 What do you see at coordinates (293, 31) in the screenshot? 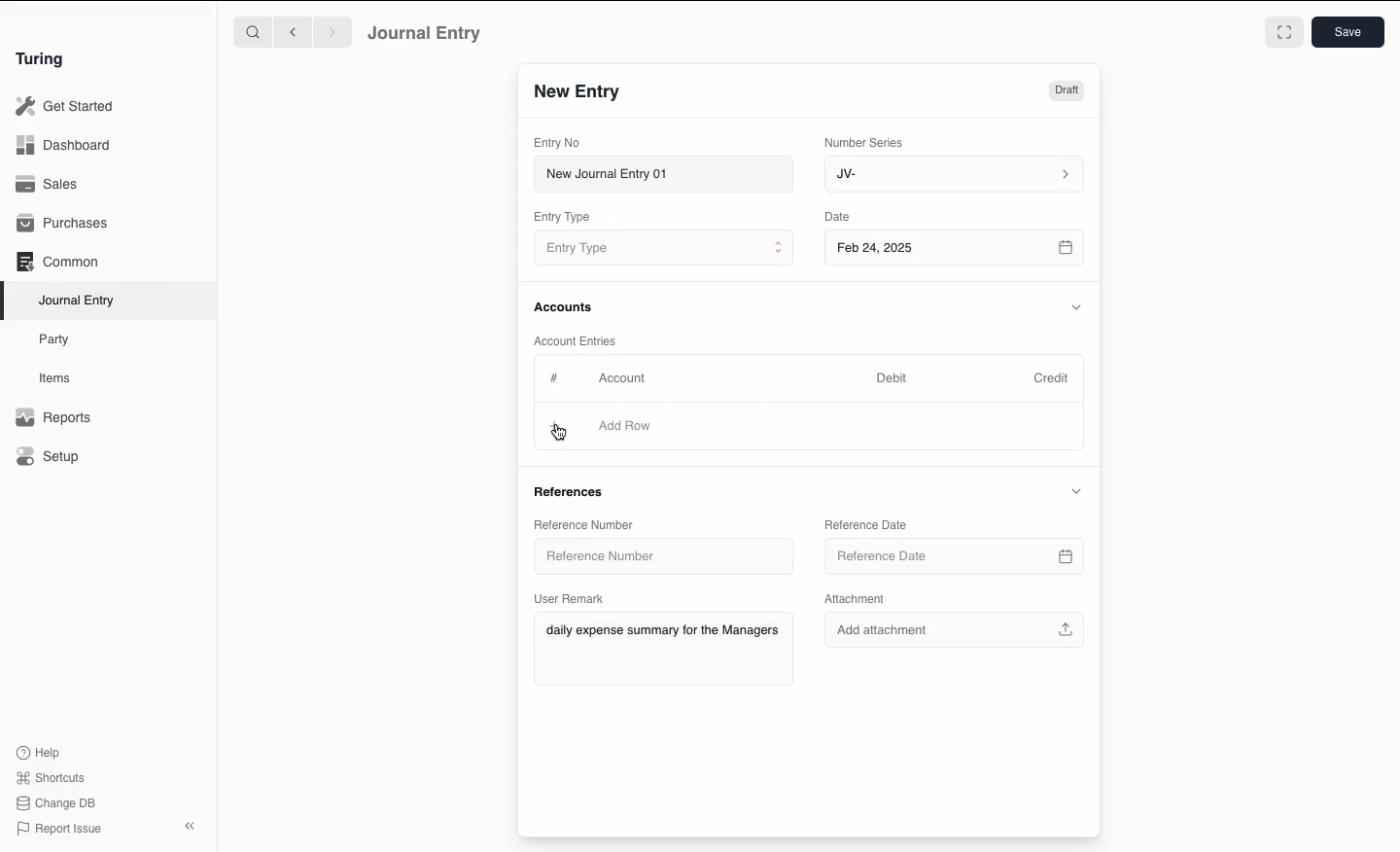
I see `Backward` at bounding box center [293, 31].